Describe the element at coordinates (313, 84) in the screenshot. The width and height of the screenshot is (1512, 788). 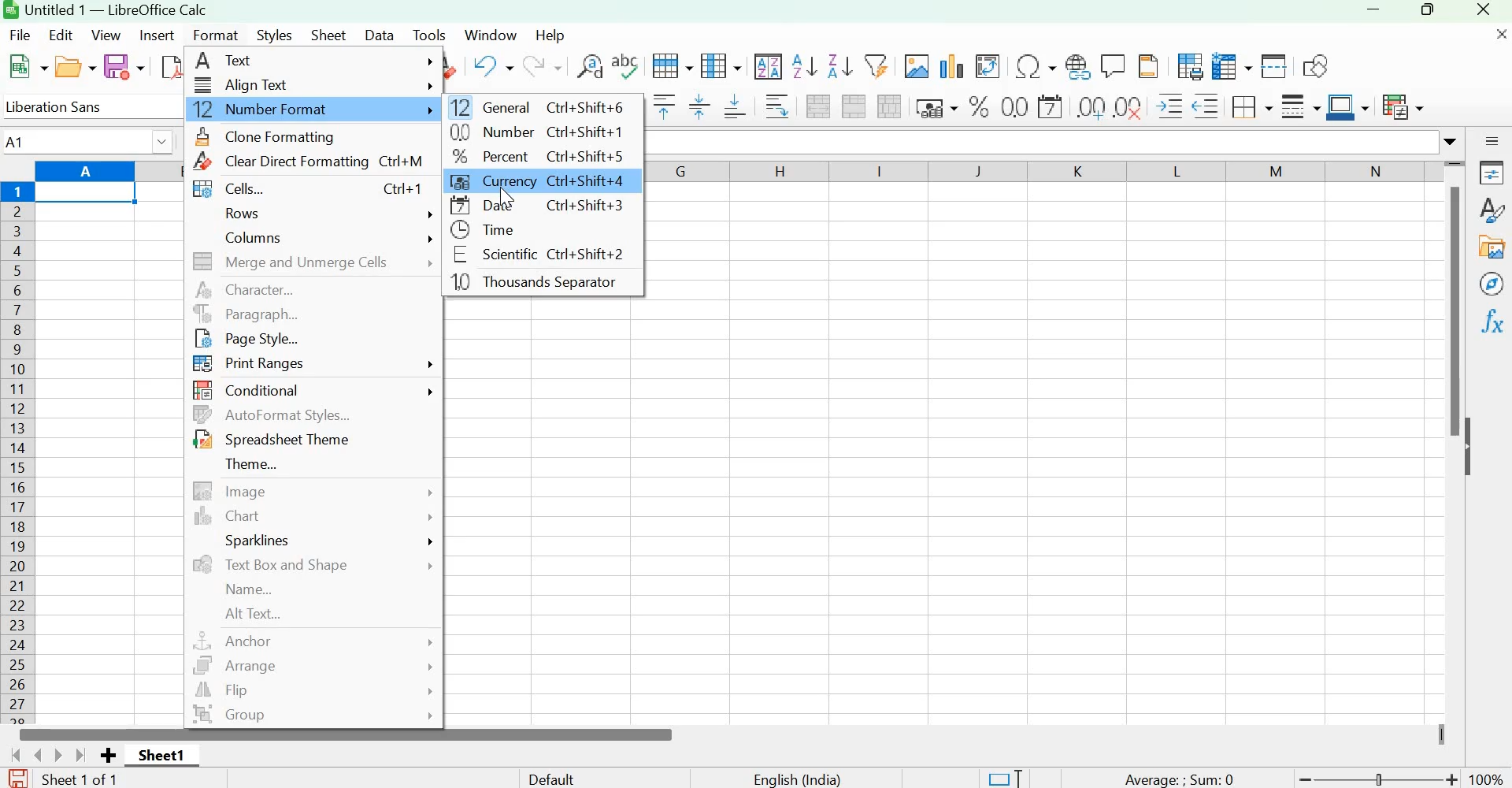
I see `Align text` at that location.